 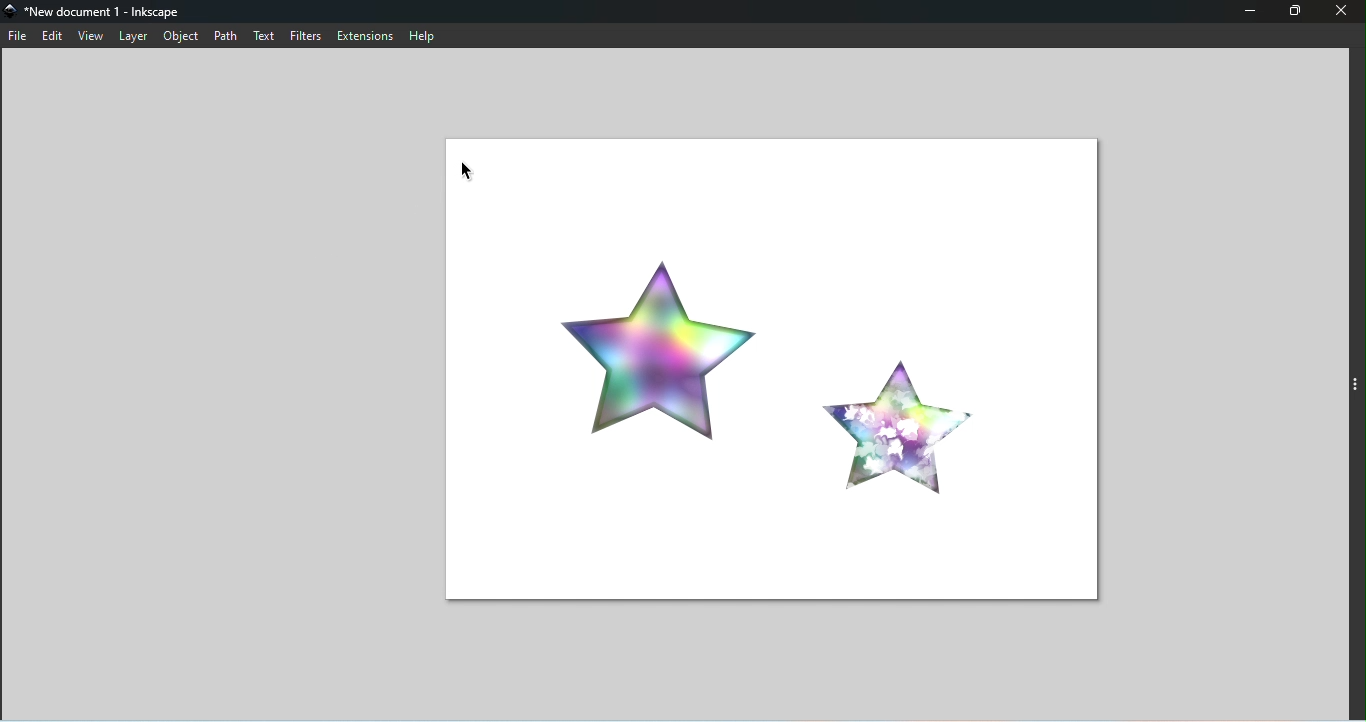 What do you see at coordinates (1342, 12) in the screenshot?
I see `Close` at bounding box center [1342, 12].